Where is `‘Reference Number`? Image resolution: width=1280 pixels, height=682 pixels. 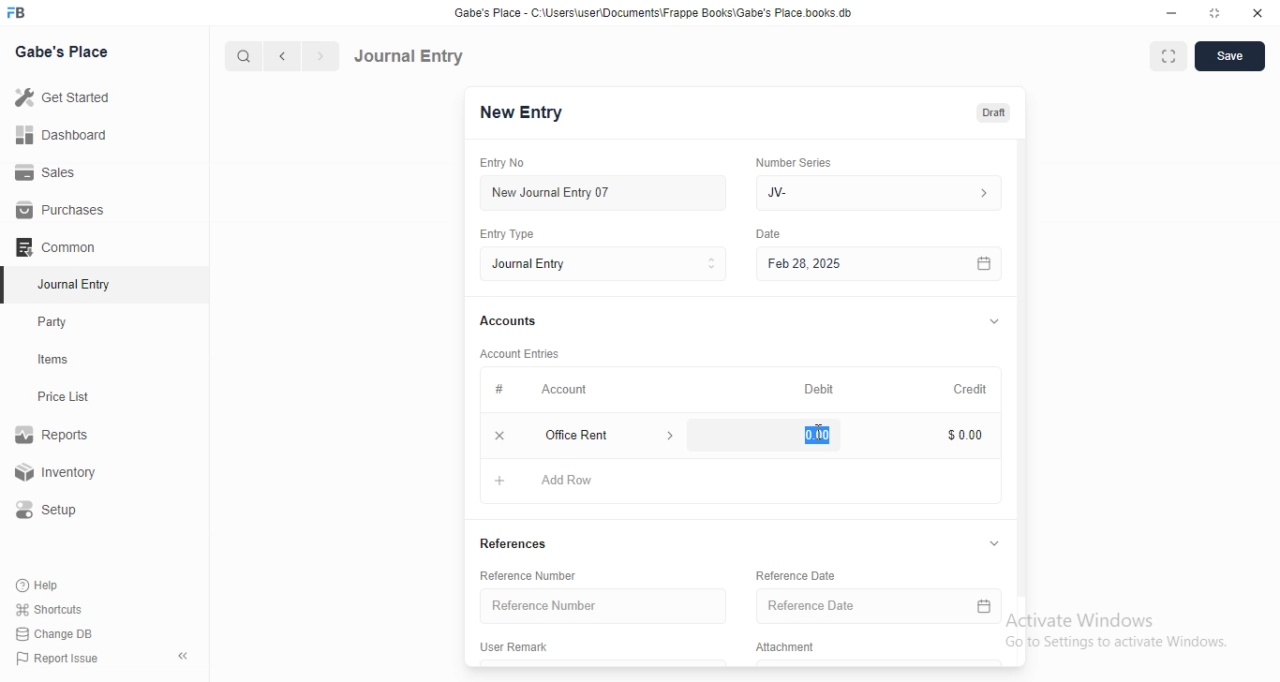 ‘Reference Number is located at coordinates (529, 575).